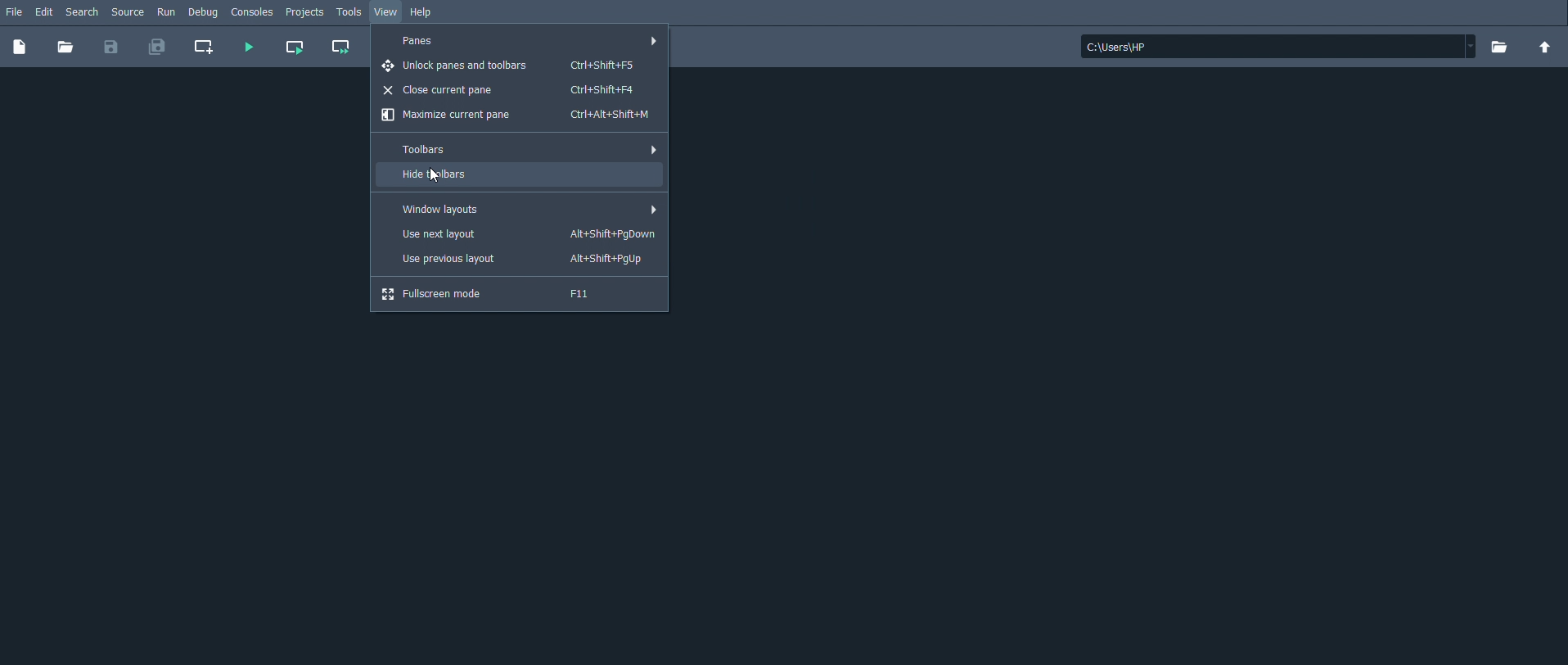  Describe the element at coordinates (511, 65) in the screenshot. I see `Unlock panes and toolbars` at that location.